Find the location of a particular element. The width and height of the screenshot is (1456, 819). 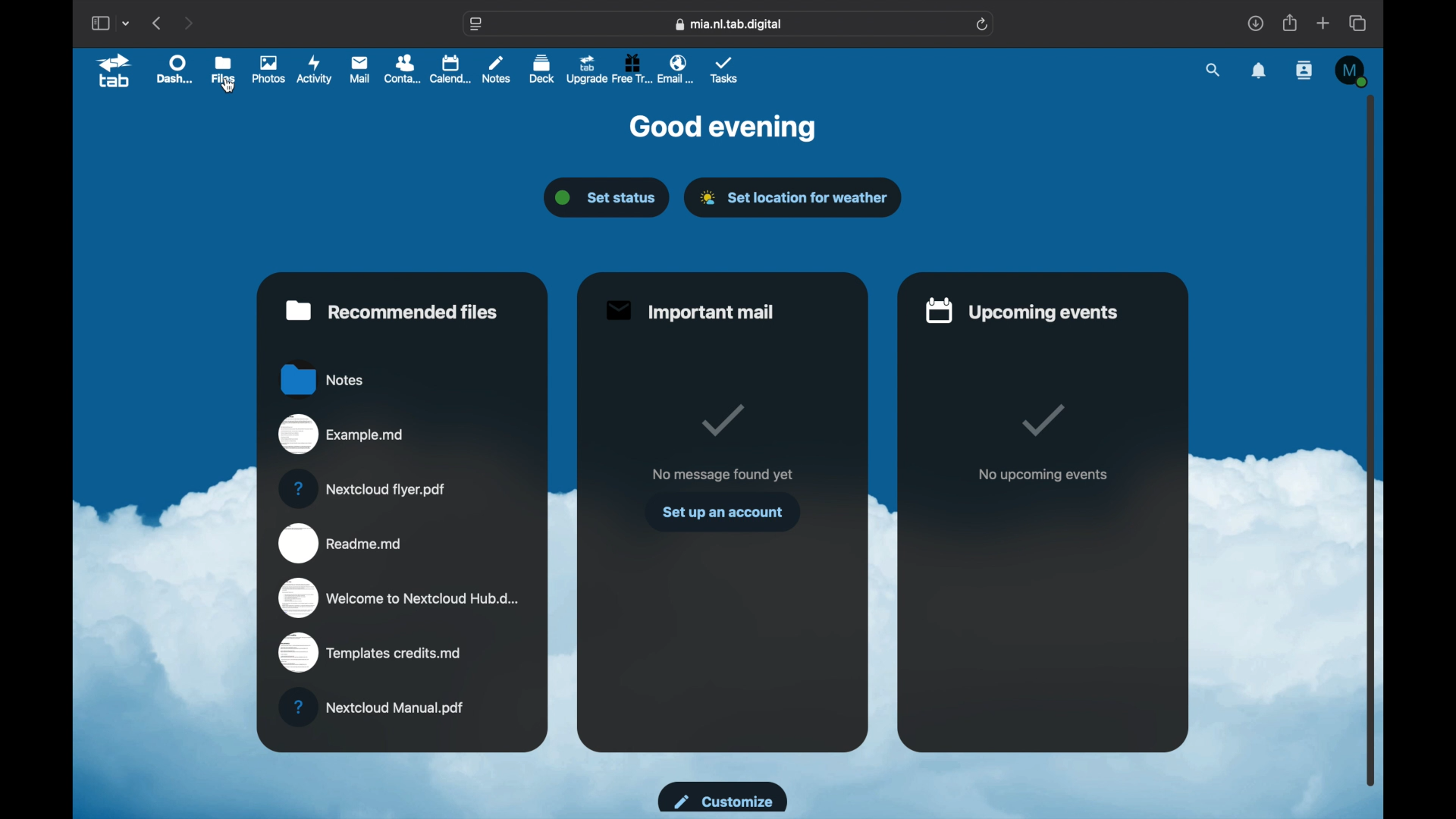

welcome  is located at coordinates (400, 598).